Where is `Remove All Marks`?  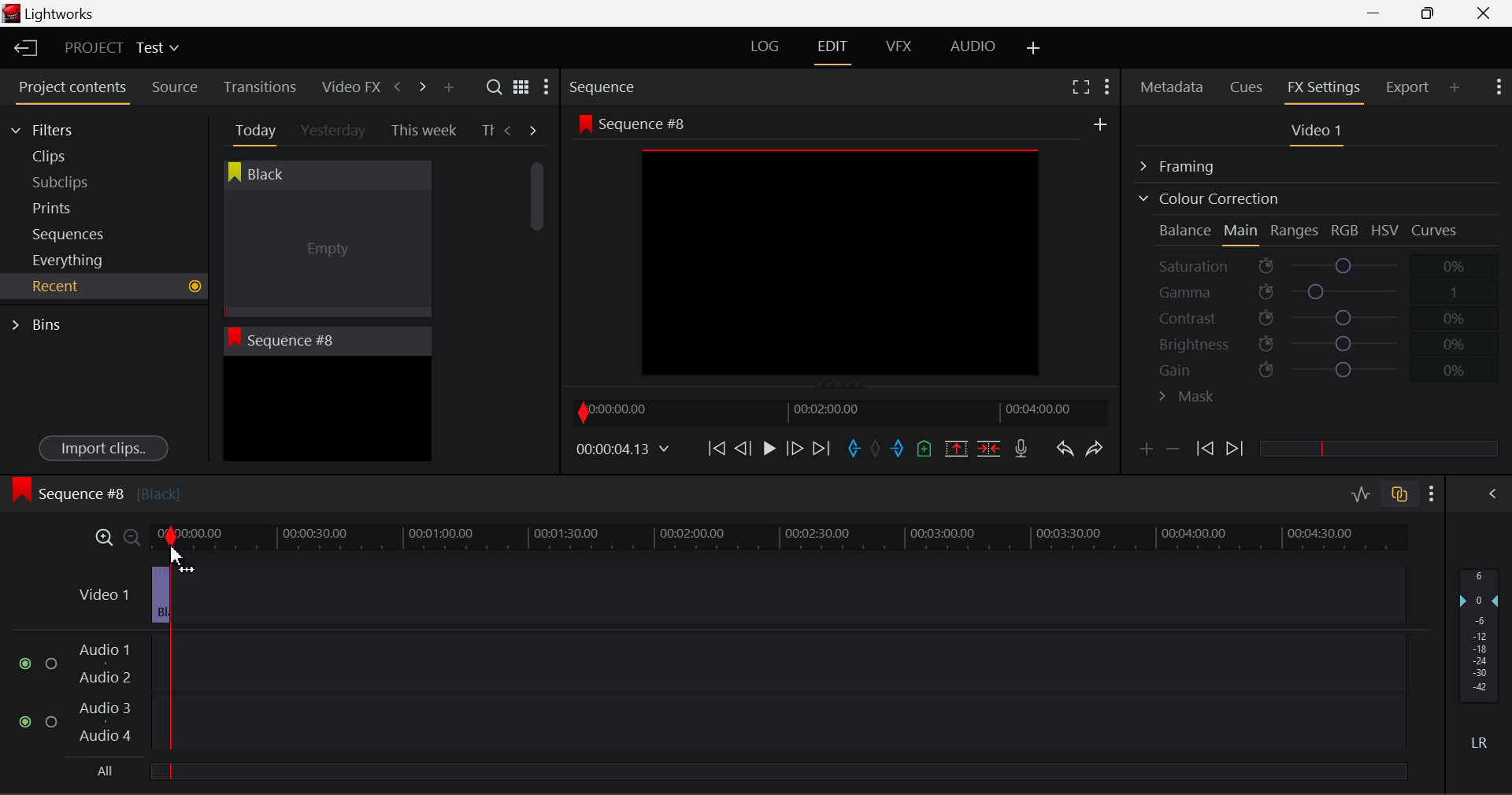
Remove All Marks is located at coordinates (877, 450).